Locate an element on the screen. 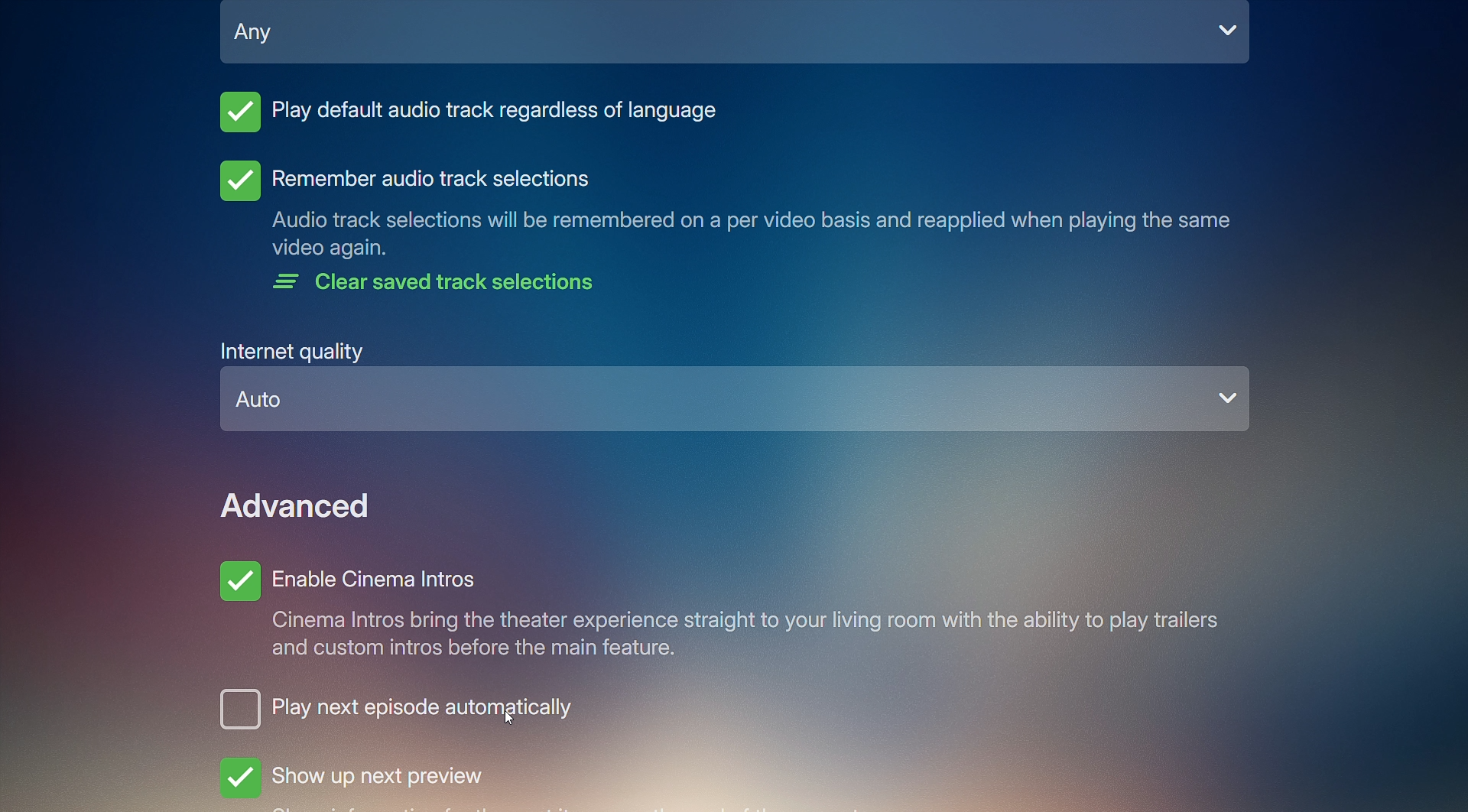  Clear saved track selections is located at coordinates (440, 286).